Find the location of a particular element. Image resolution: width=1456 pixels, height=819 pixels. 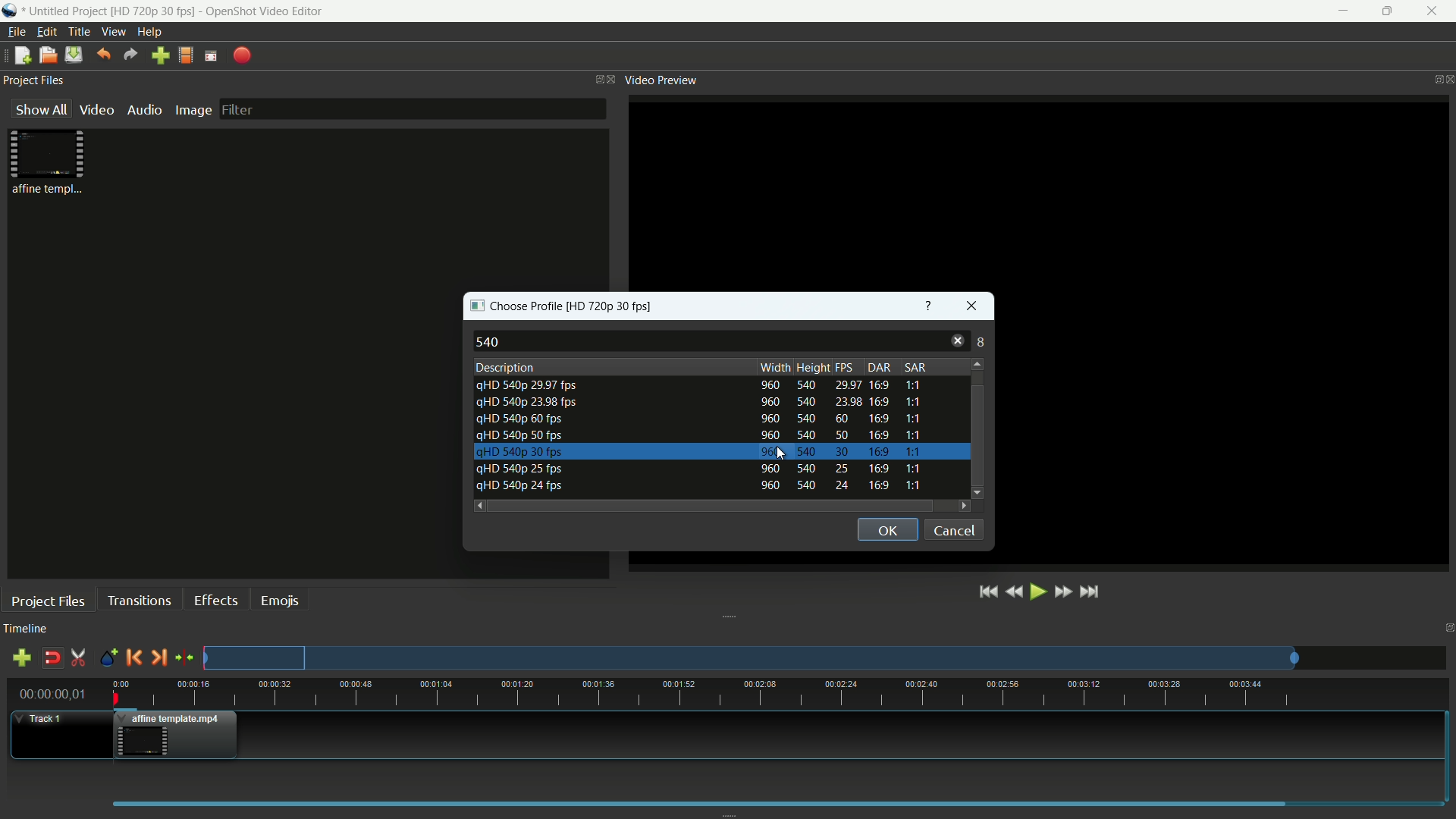

filter bar is located at coordinates (413, 109).